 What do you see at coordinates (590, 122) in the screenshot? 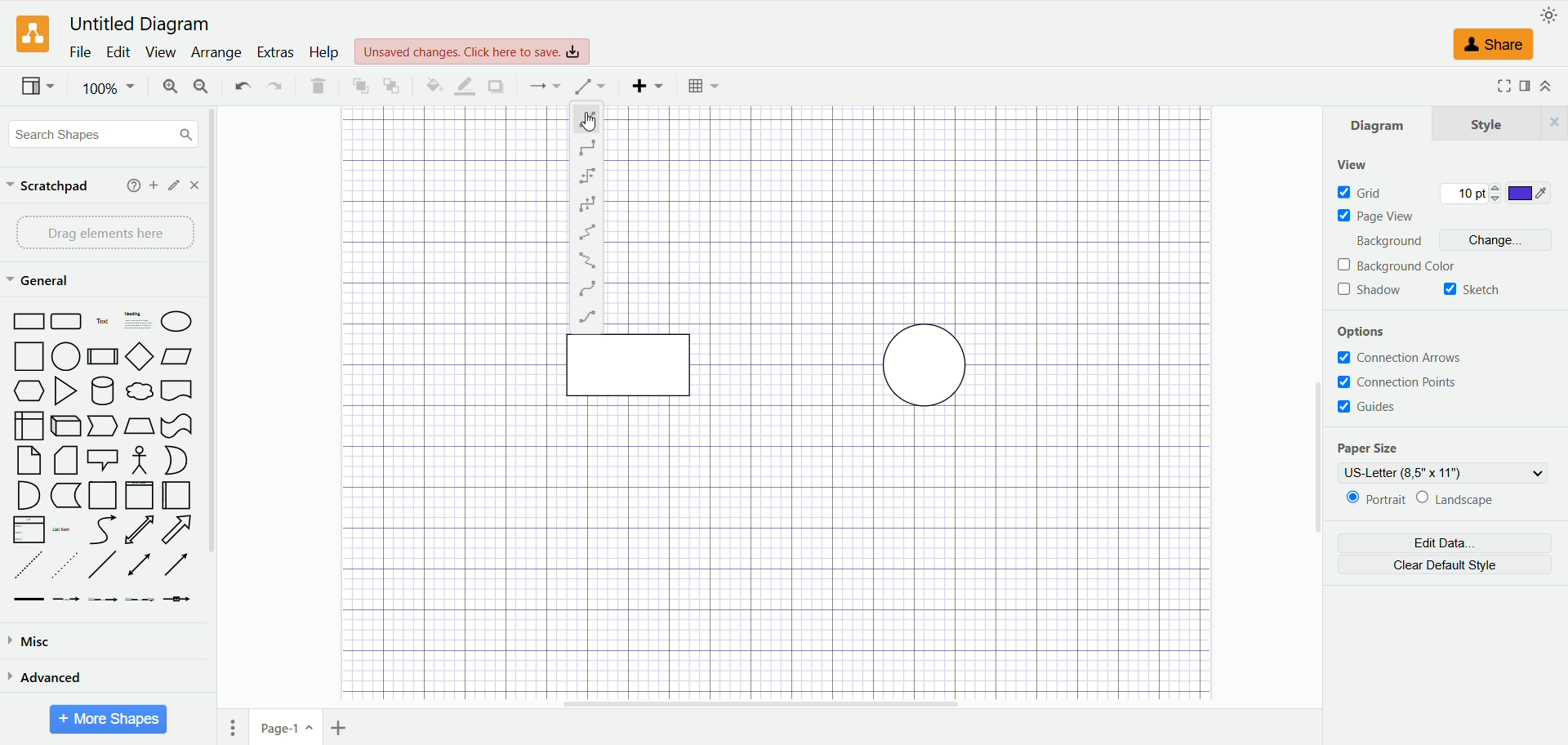
I see `Cursor Position` at bounding box center [590, 122].